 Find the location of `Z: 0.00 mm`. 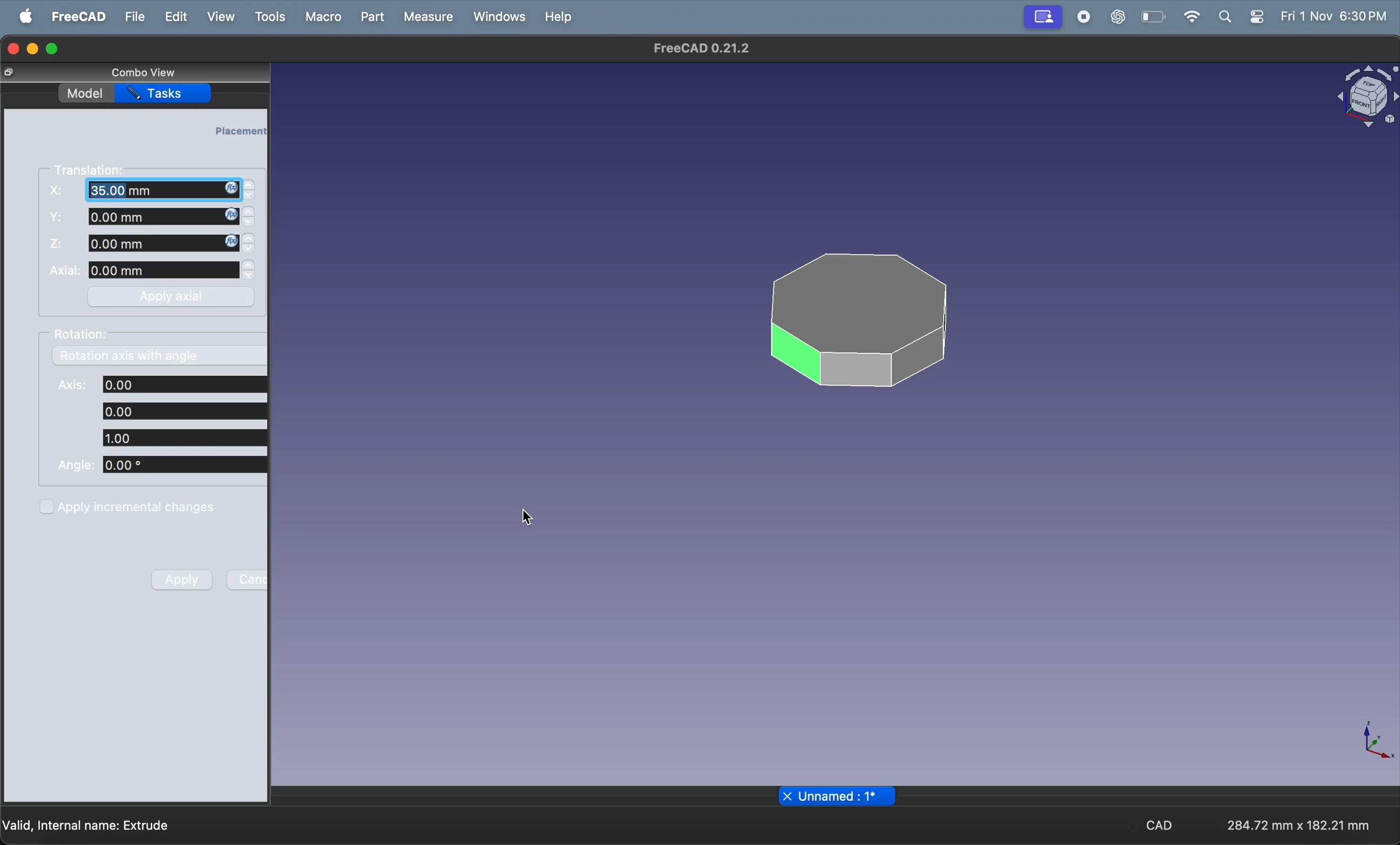

Z: 0.00 mm is located at coordinates (144, 244).